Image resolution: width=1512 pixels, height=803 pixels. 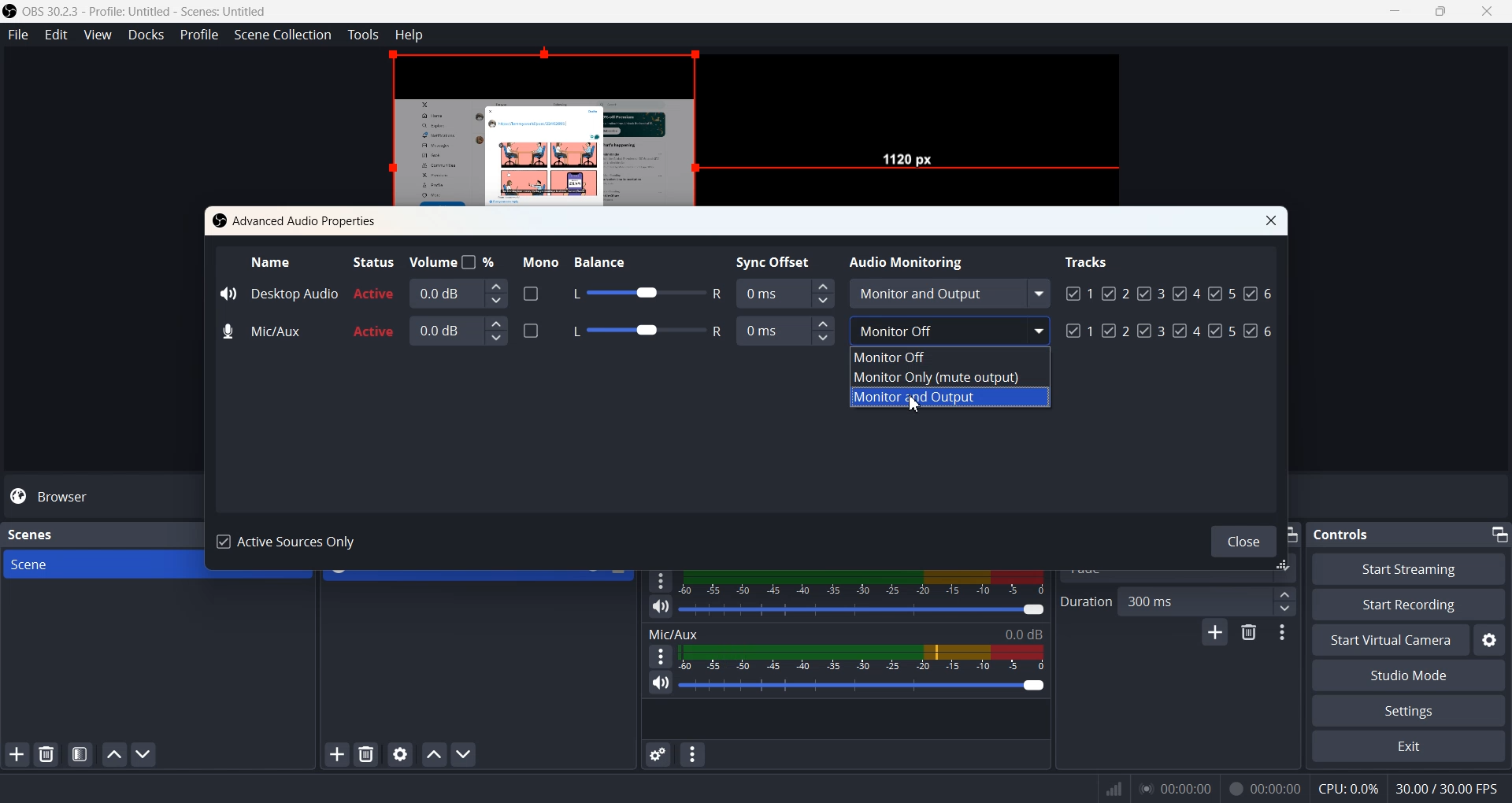 I want to click on 00:00:00, so click(x=1176, y=787).